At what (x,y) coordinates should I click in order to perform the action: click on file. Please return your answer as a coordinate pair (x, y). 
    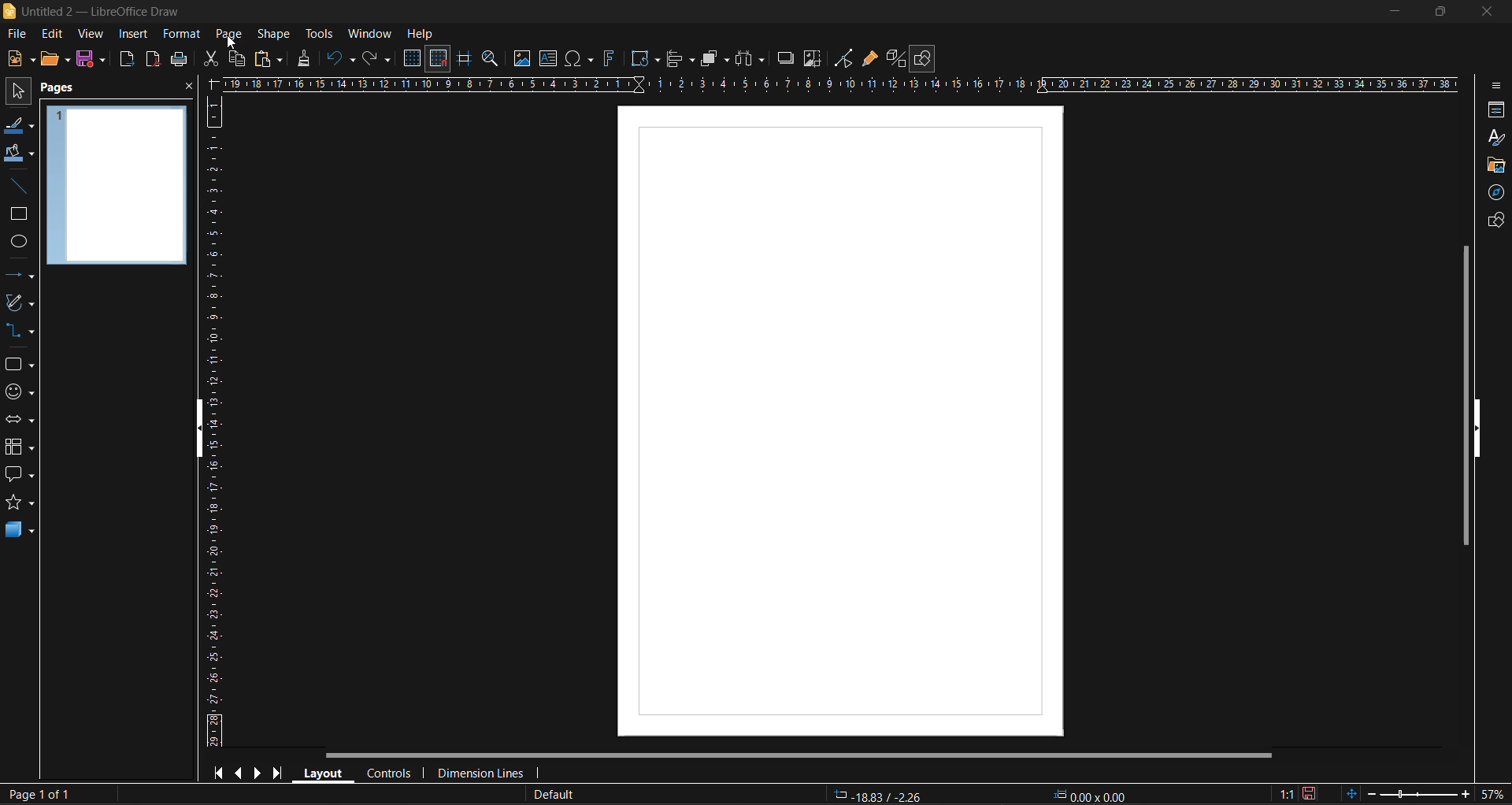
    Looking at the image, I should click on (19, 34).